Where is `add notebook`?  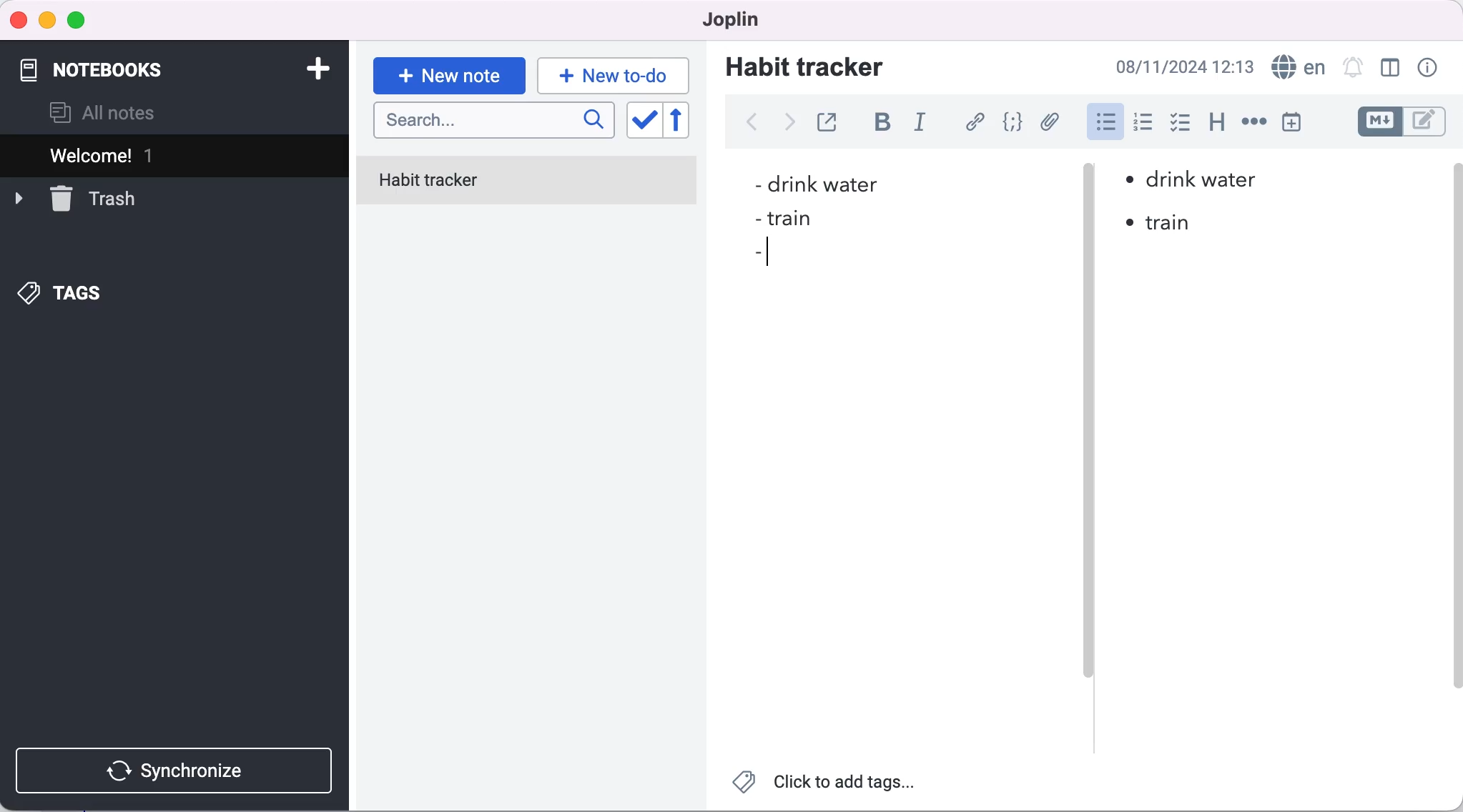
add notebook is located at coordinates (315, 67).